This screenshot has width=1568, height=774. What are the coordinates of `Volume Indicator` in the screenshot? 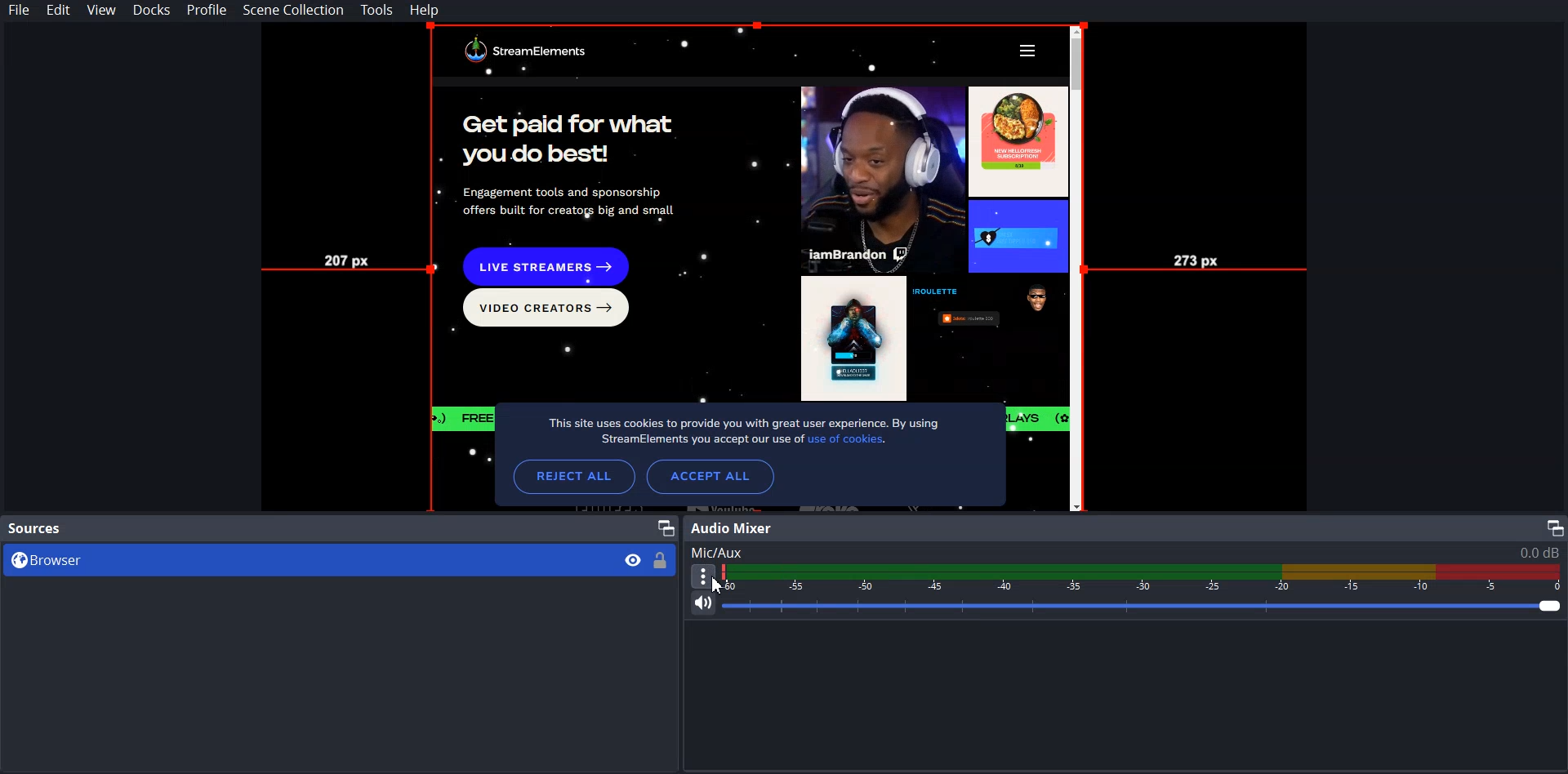 It's located at (1143, 578).